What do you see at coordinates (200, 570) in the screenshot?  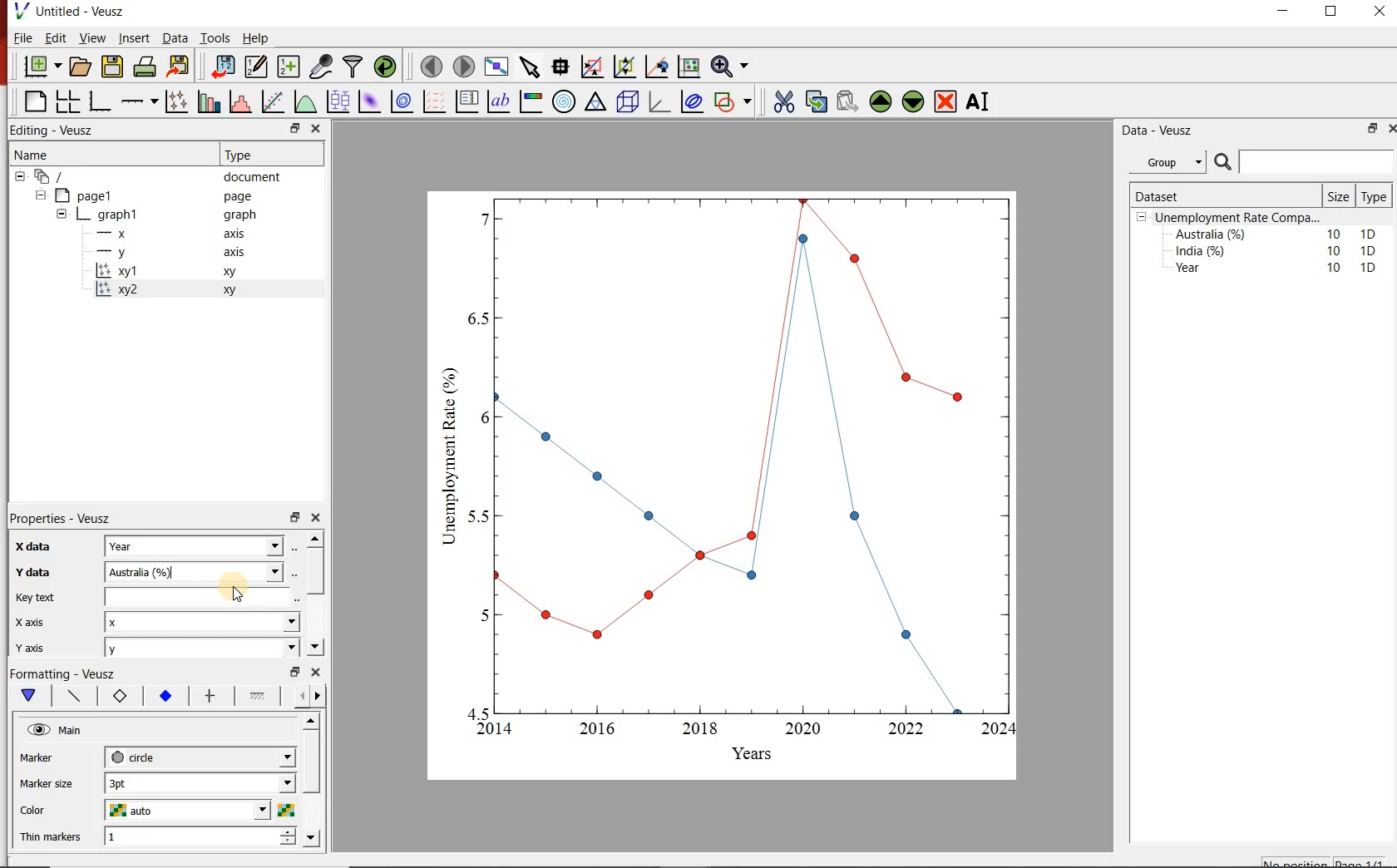 I see `Australia (%)` at bounding box center [200, 570].